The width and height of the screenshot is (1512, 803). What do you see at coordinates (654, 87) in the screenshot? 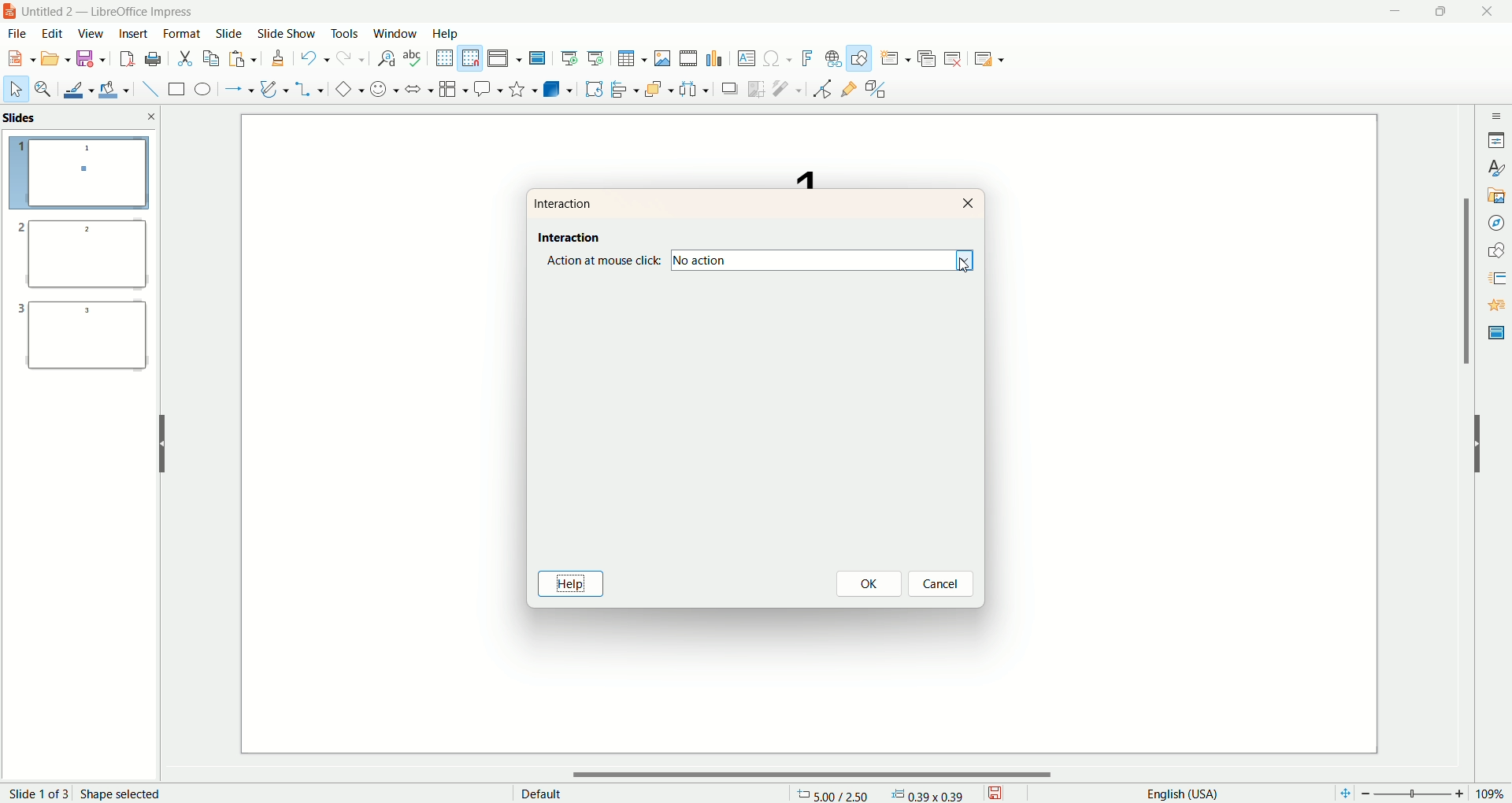
I see `arrange` at bounding box center [654, 87].